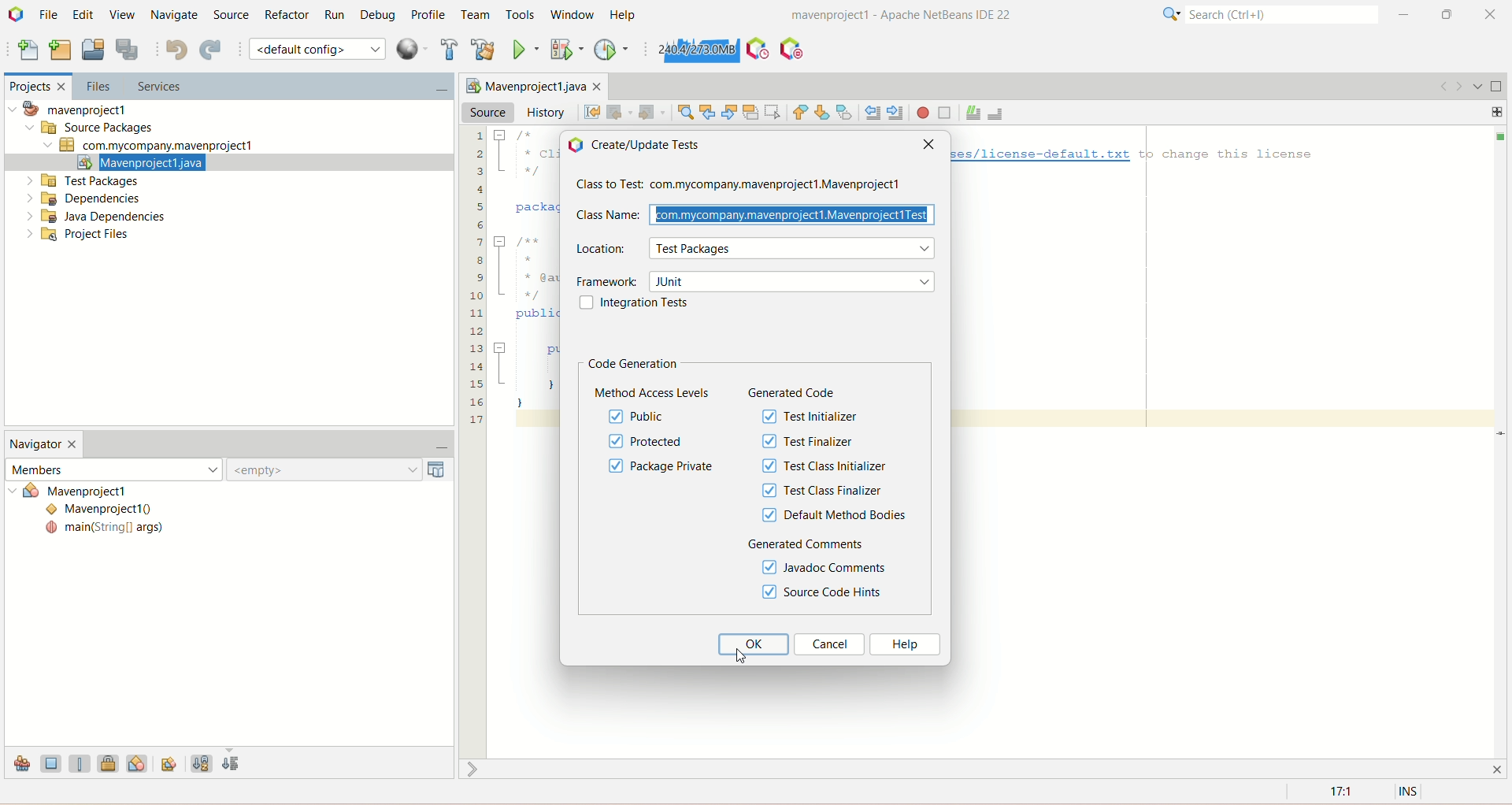 The width and height of the screenshot is (1512, 805). Describe the element at coordinates (762, 281) in the screenshot. I see `framework` at that location.